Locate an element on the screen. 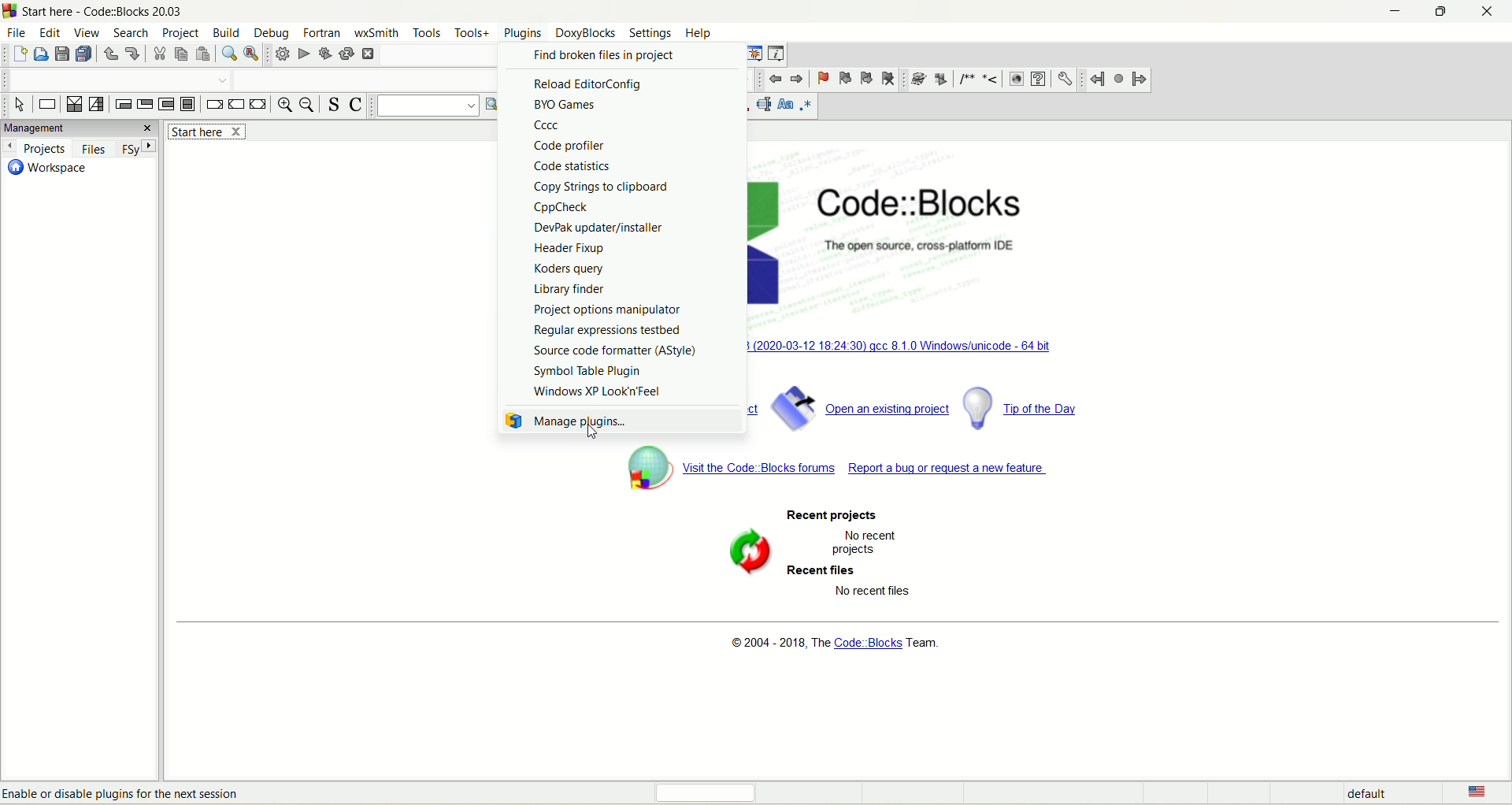 The image size is (1512, 805). header fixup is located at coordinates (571, 249).